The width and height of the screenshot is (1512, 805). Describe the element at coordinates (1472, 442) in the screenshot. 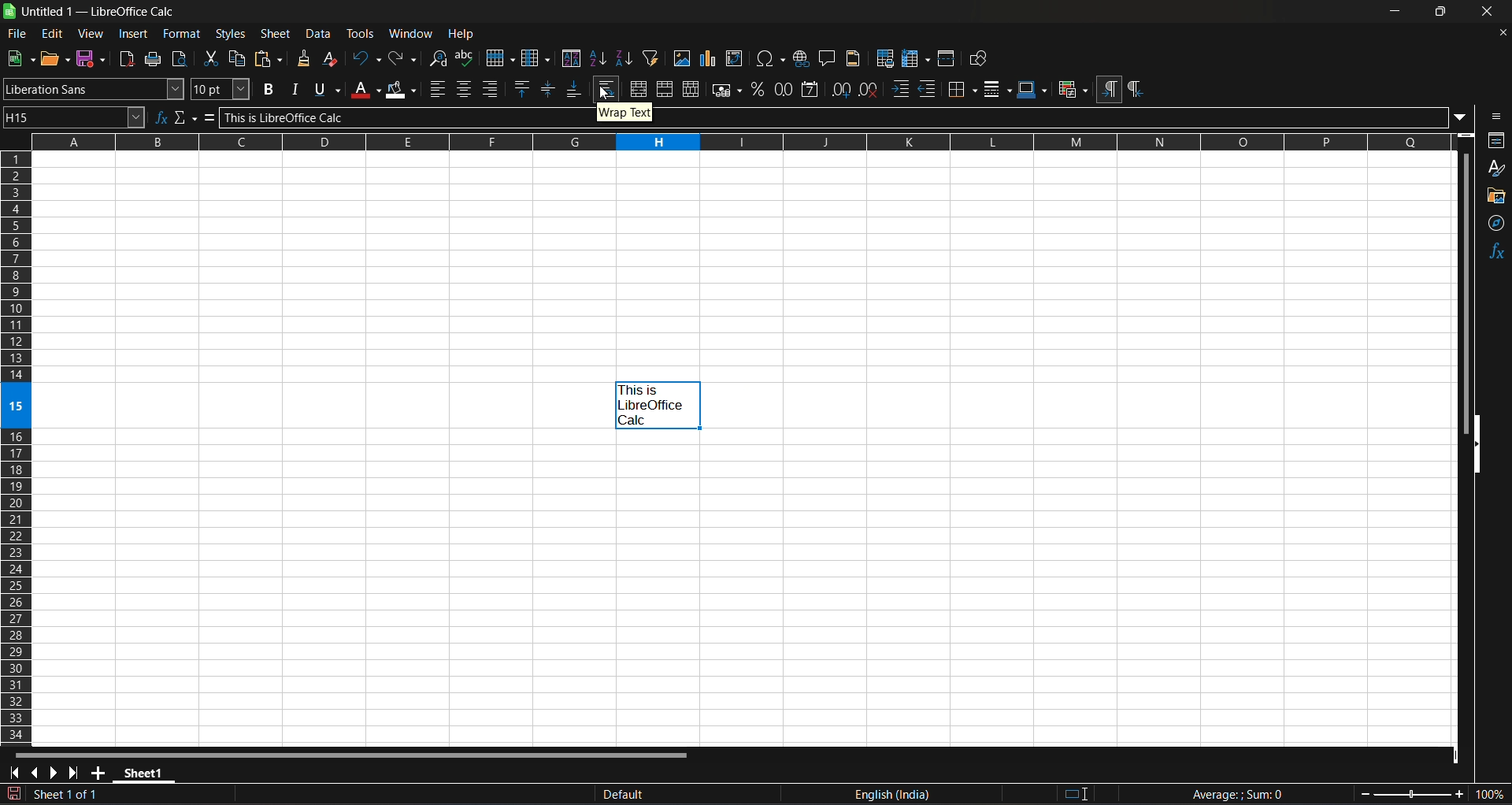

I see `hide` at that location.